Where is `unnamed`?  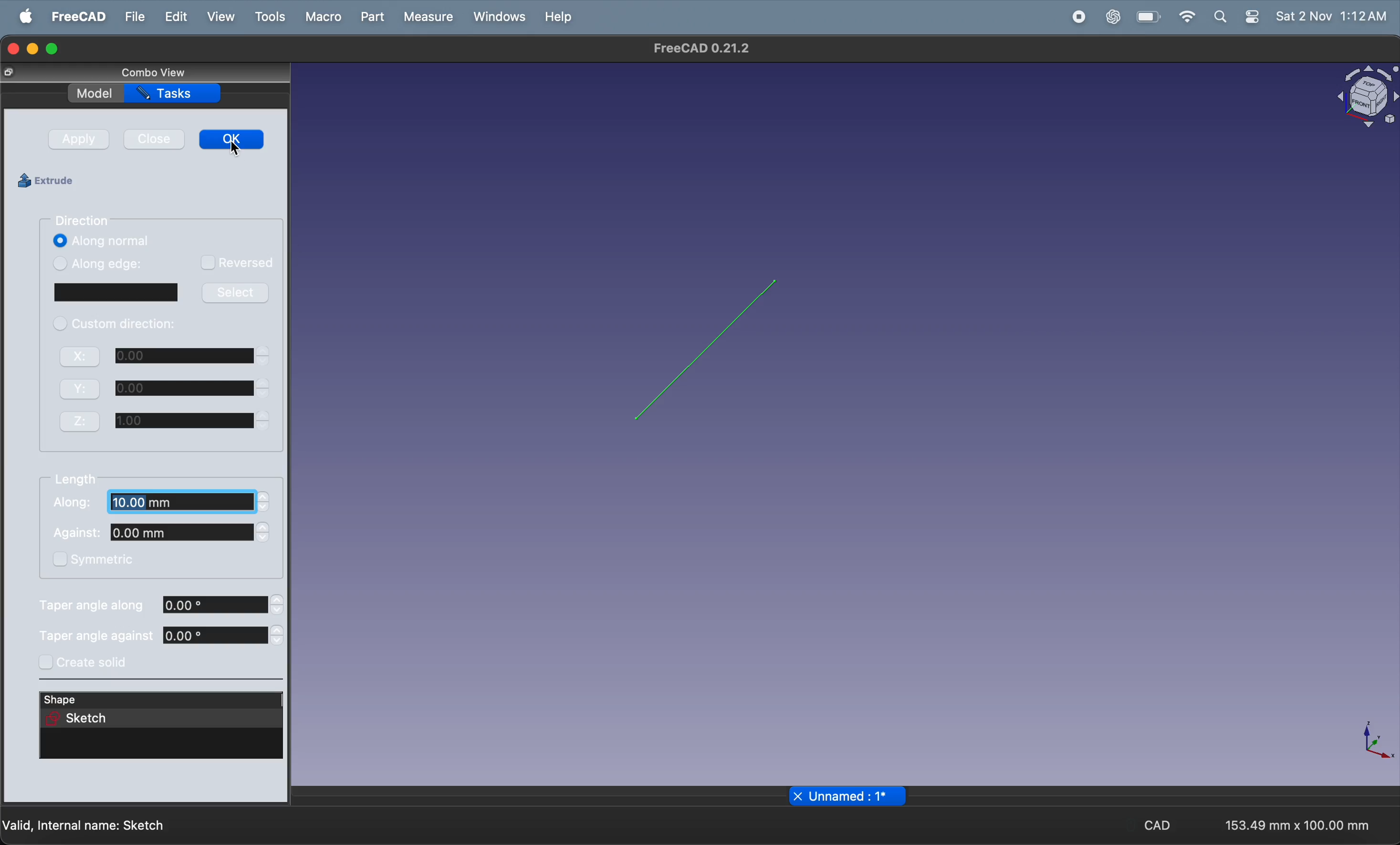 unnamed is located at coordinates (846, 796).